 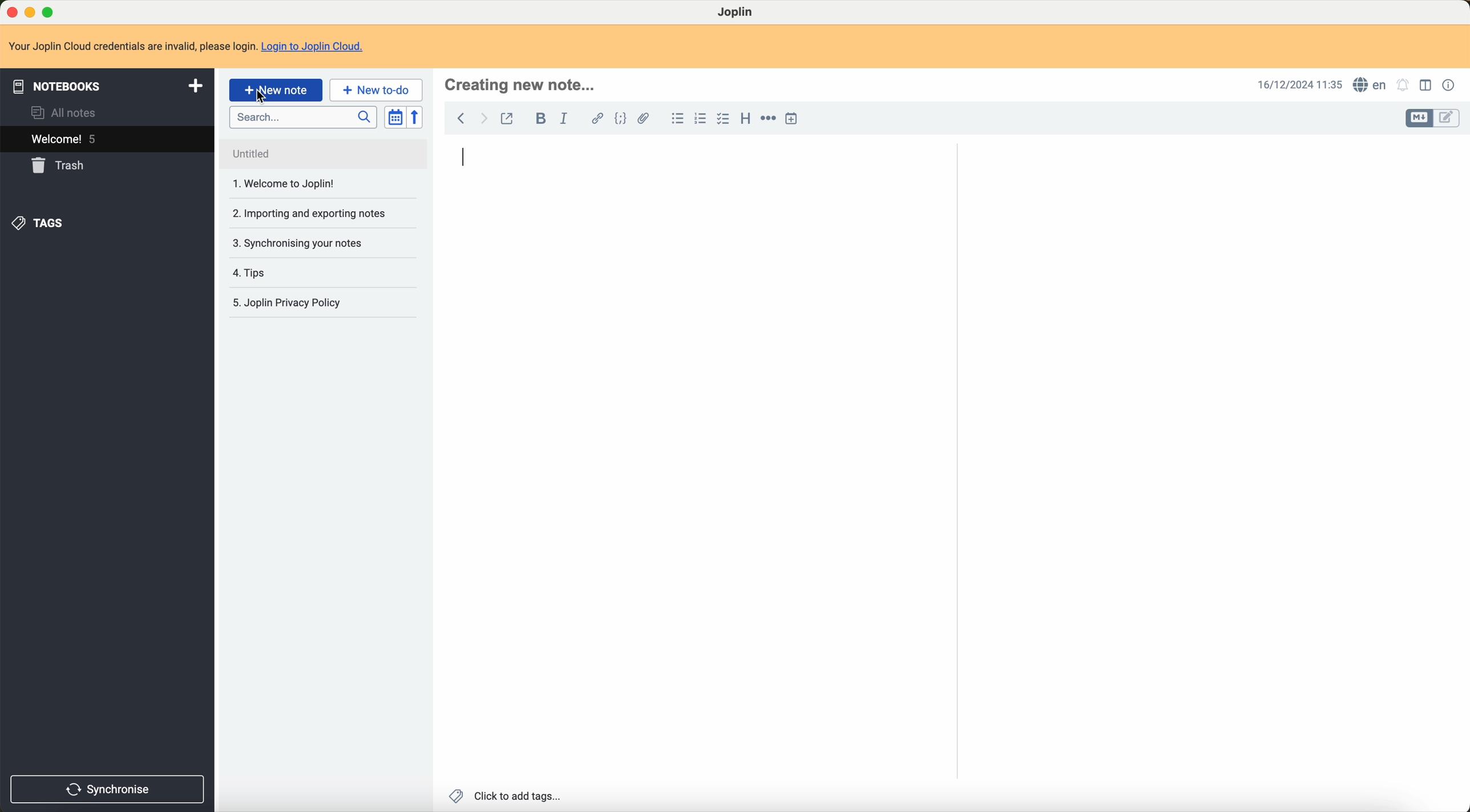 I want to click on toggle editor, so click(x=1416, y=118).